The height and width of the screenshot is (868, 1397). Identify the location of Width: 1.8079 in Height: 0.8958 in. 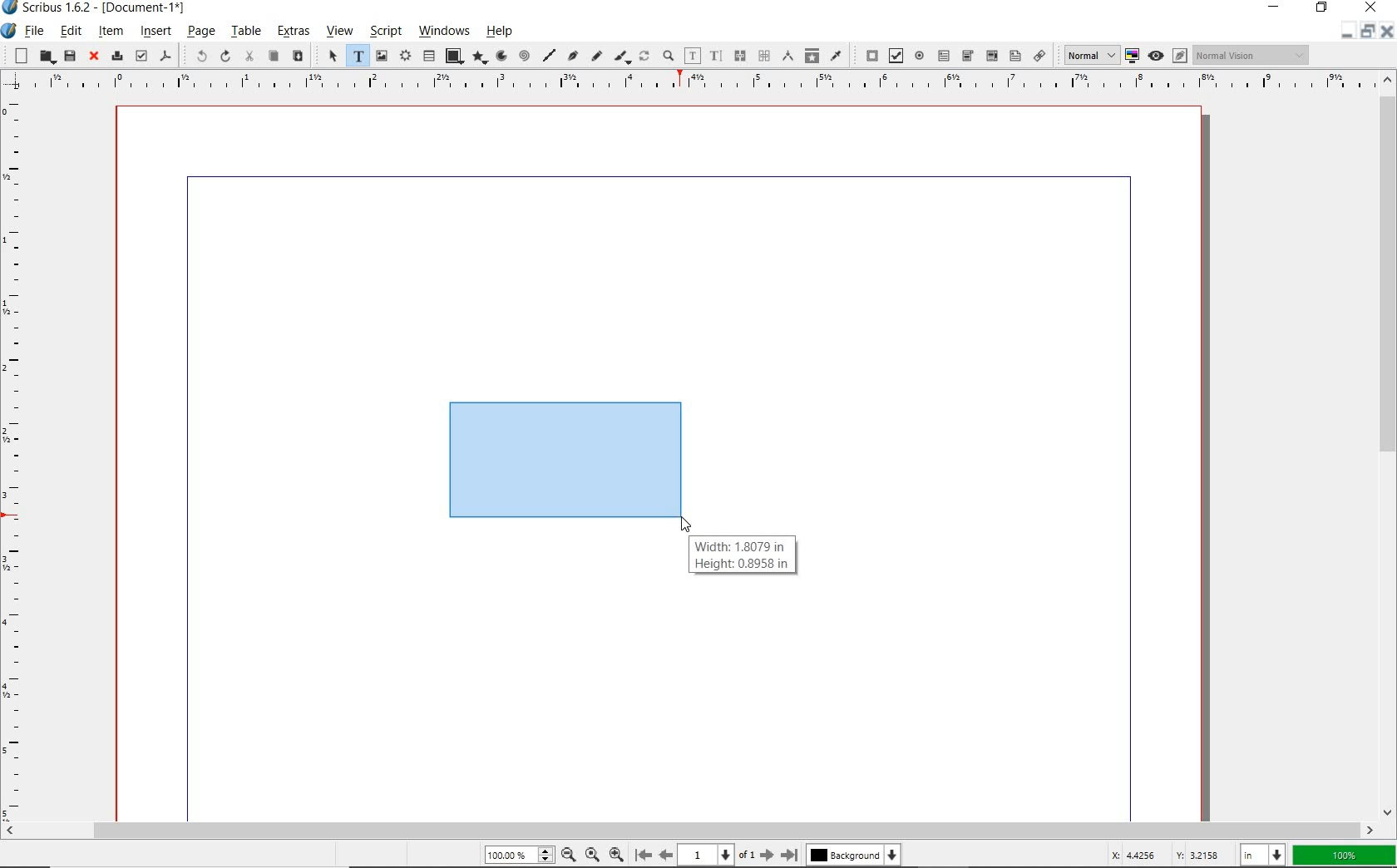
(742, 555).